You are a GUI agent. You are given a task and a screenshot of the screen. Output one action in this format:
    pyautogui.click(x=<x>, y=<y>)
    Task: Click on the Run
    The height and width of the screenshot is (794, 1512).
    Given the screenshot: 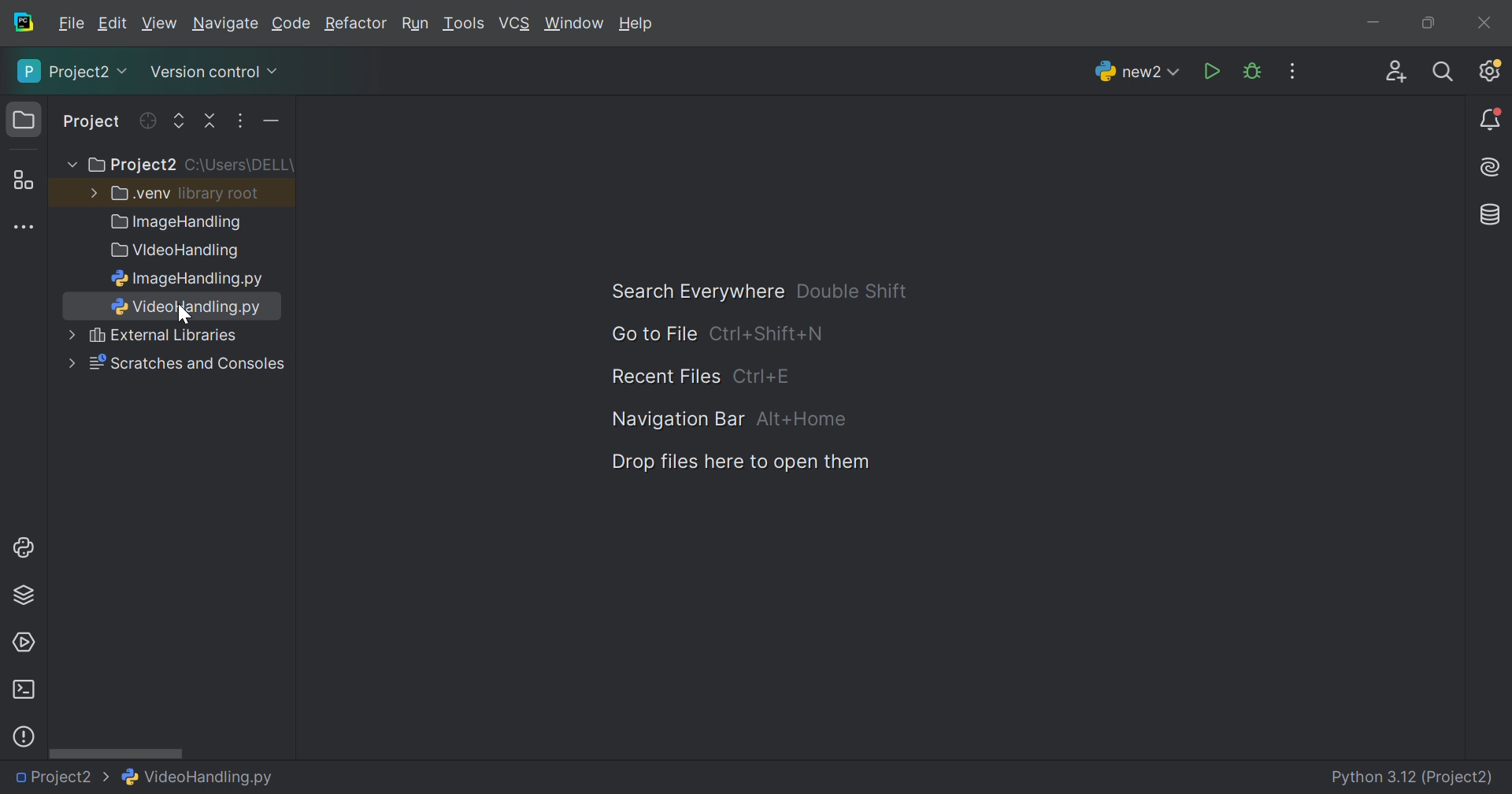 What is the action you would take?
    pyautogui.click(x=415, y=25)
    